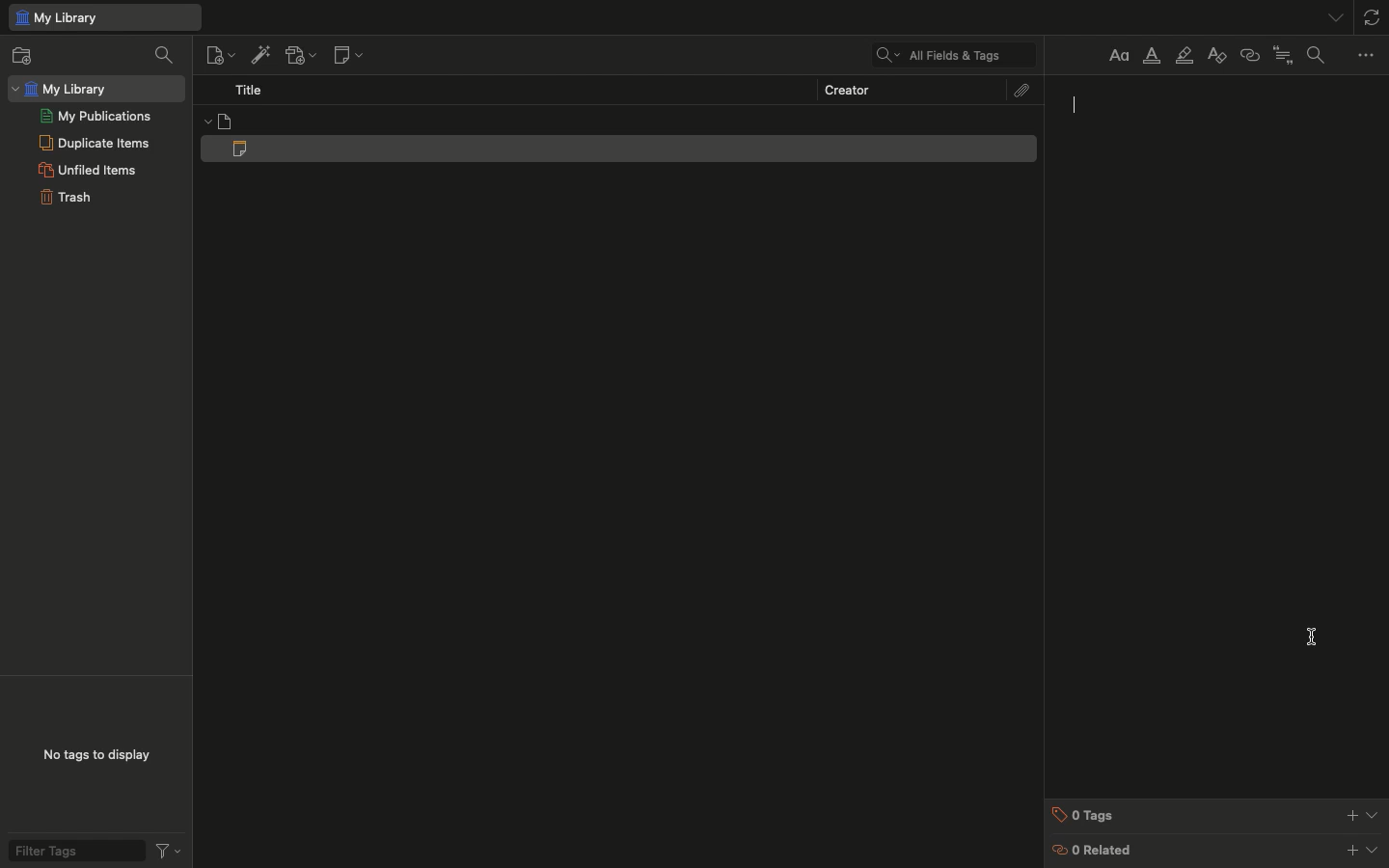 The height and width of the screenshot is (868, 1389). What do you see at coordinates (65, 198) in the screenshot?
I see `Trash` at bounding box center [65, 198].